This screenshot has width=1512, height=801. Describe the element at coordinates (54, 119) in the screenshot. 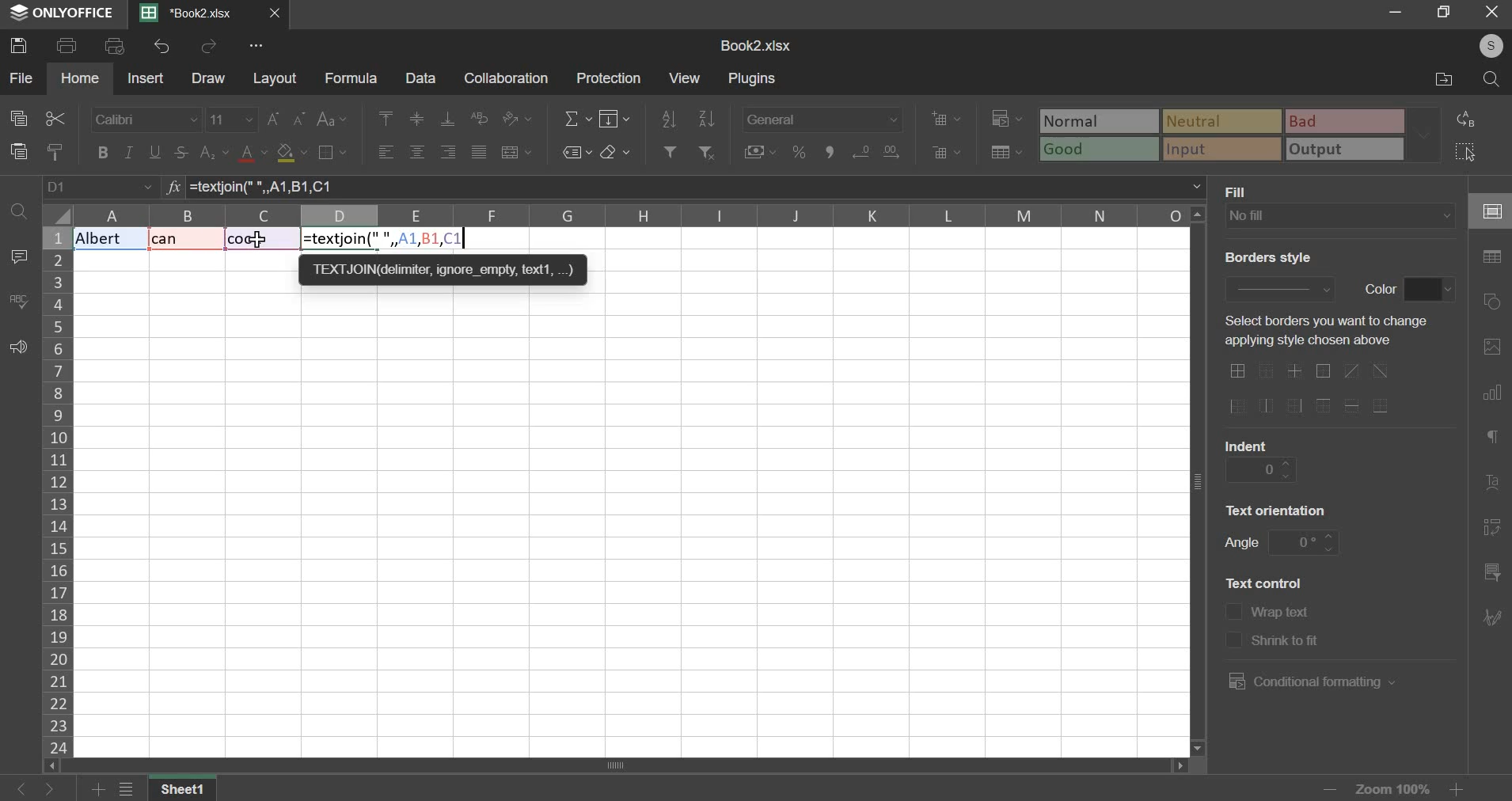

I see `cut` at that location.